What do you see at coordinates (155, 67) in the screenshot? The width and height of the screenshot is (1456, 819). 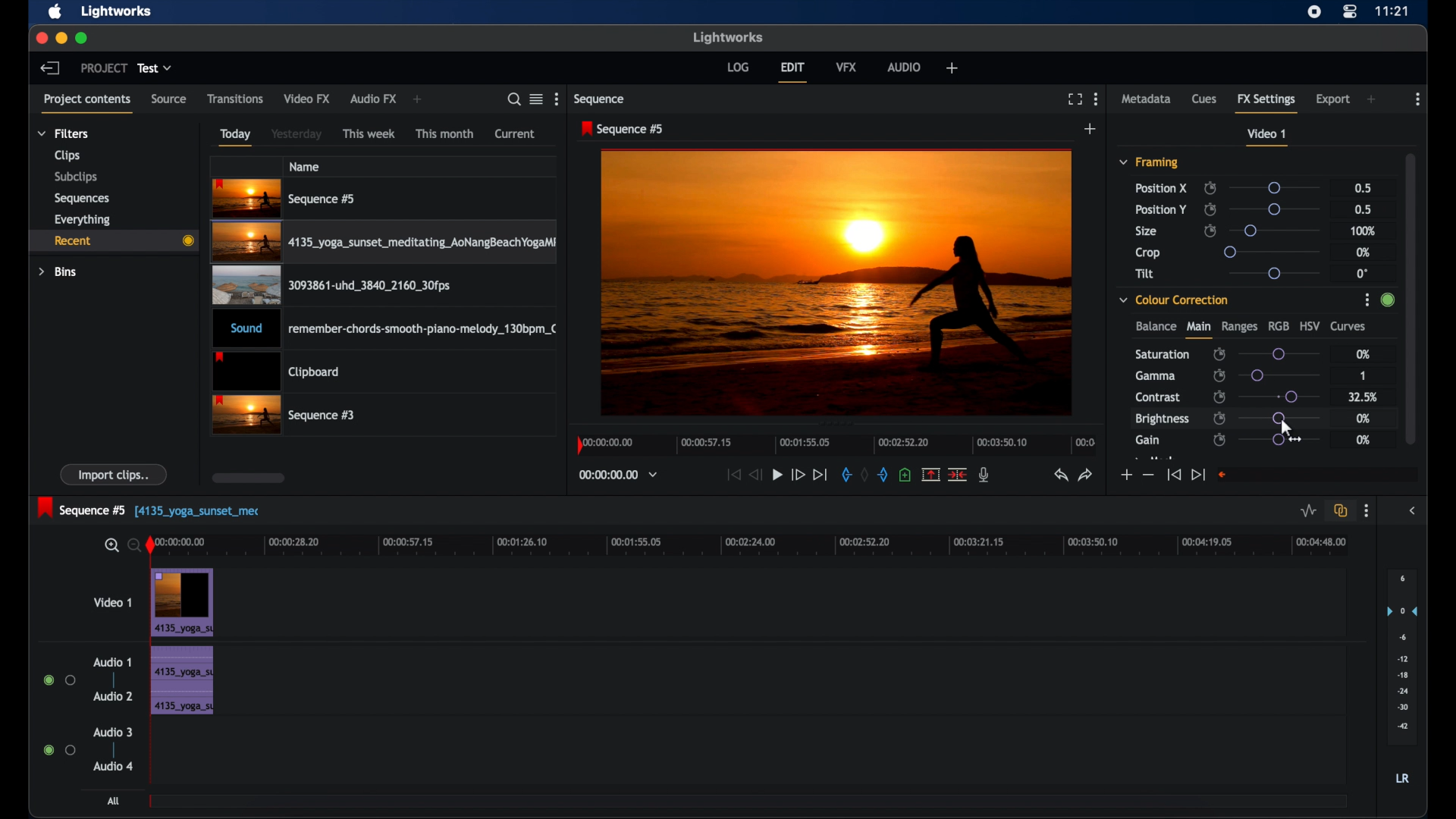 I see `test dropdown` at bounding box center [155, 67].